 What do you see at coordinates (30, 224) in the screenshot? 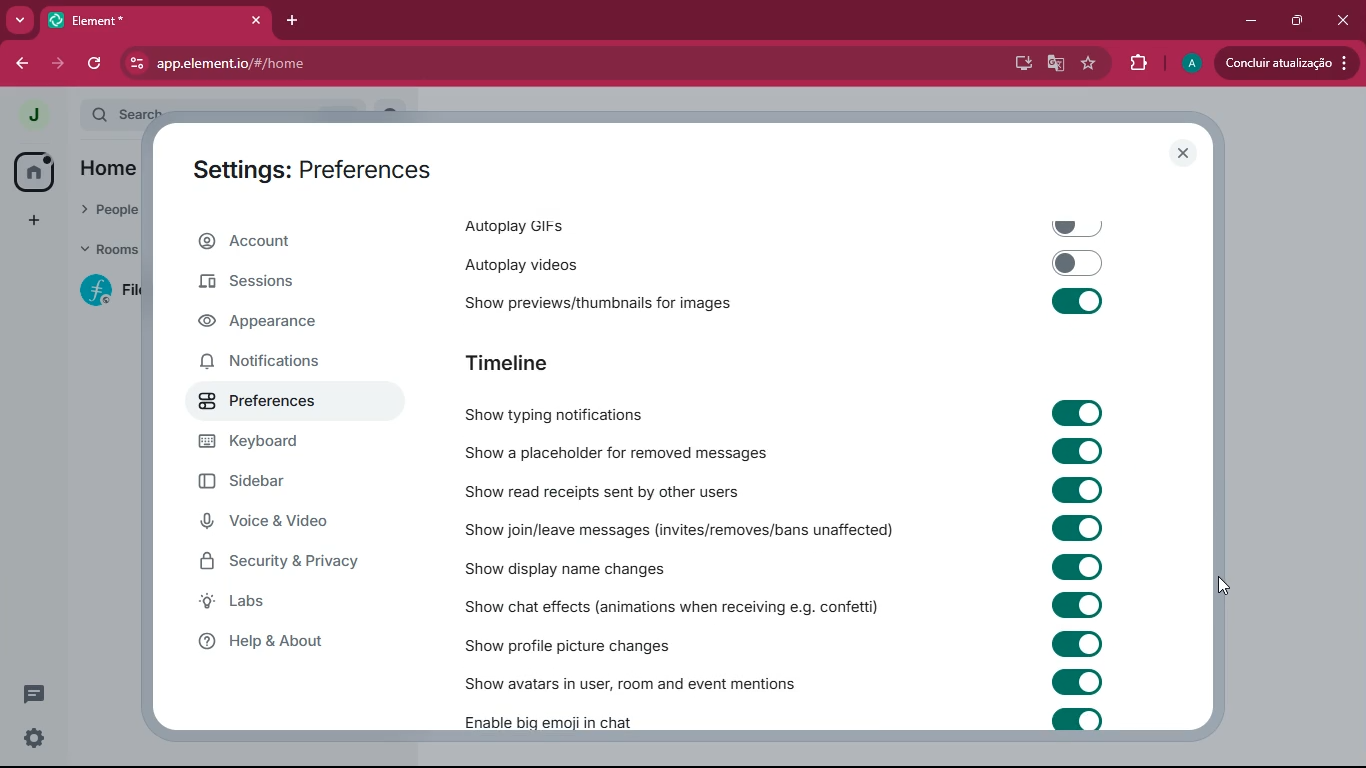
I see `add` at bounding box center [30, 224].